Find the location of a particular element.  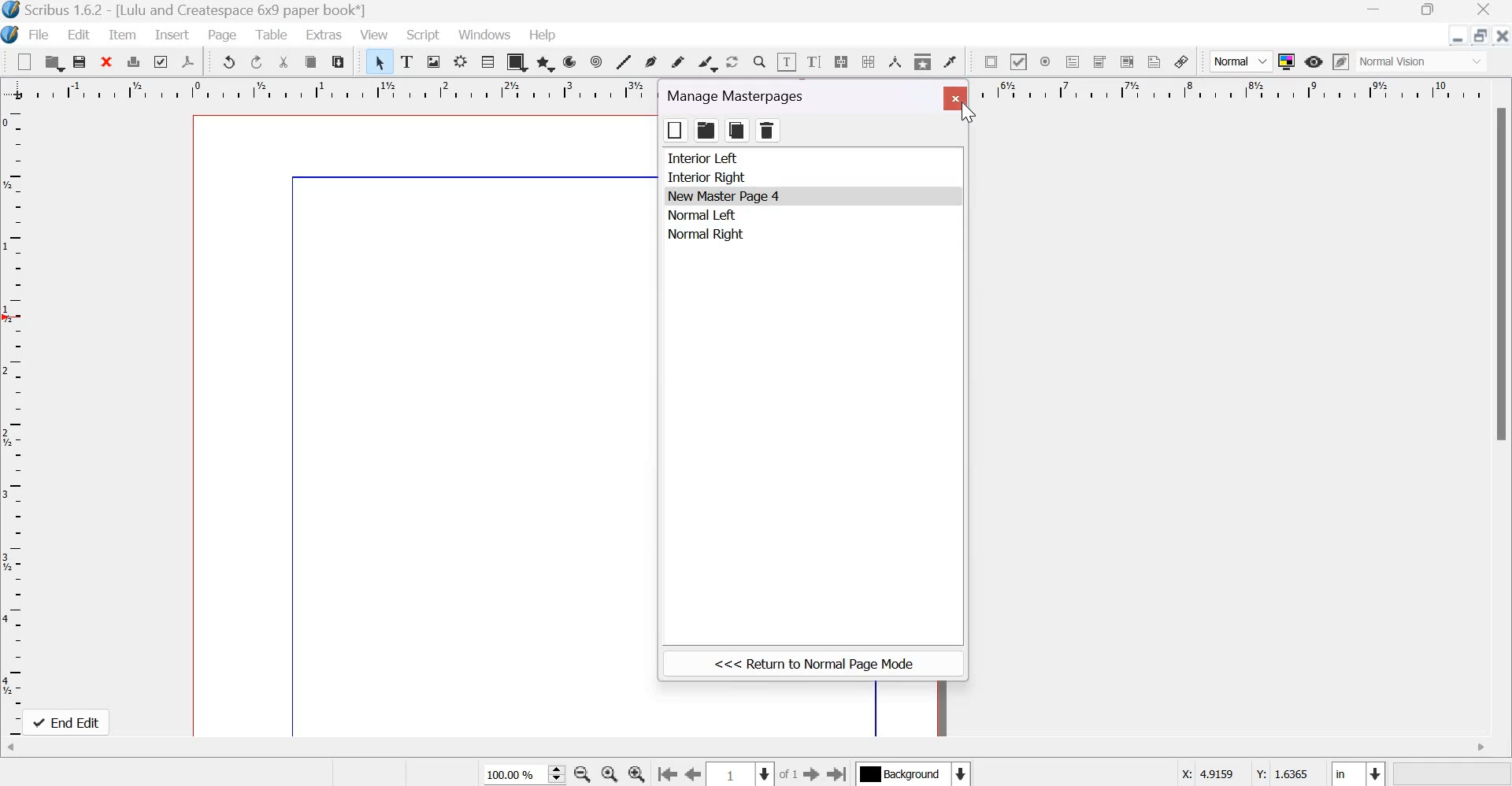

Select the current unit is located at coordinates (1358, 773).